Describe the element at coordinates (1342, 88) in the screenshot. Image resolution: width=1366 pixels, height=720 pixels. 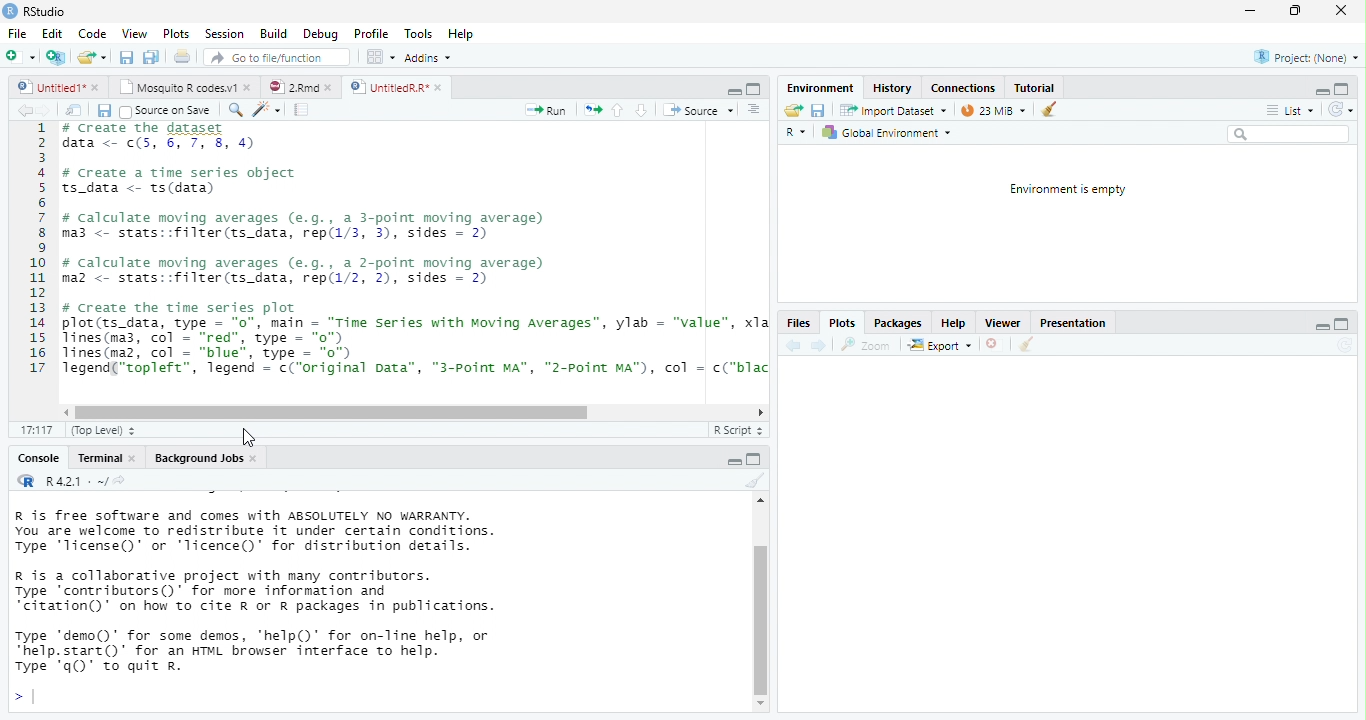
I see `maximize` at that location.